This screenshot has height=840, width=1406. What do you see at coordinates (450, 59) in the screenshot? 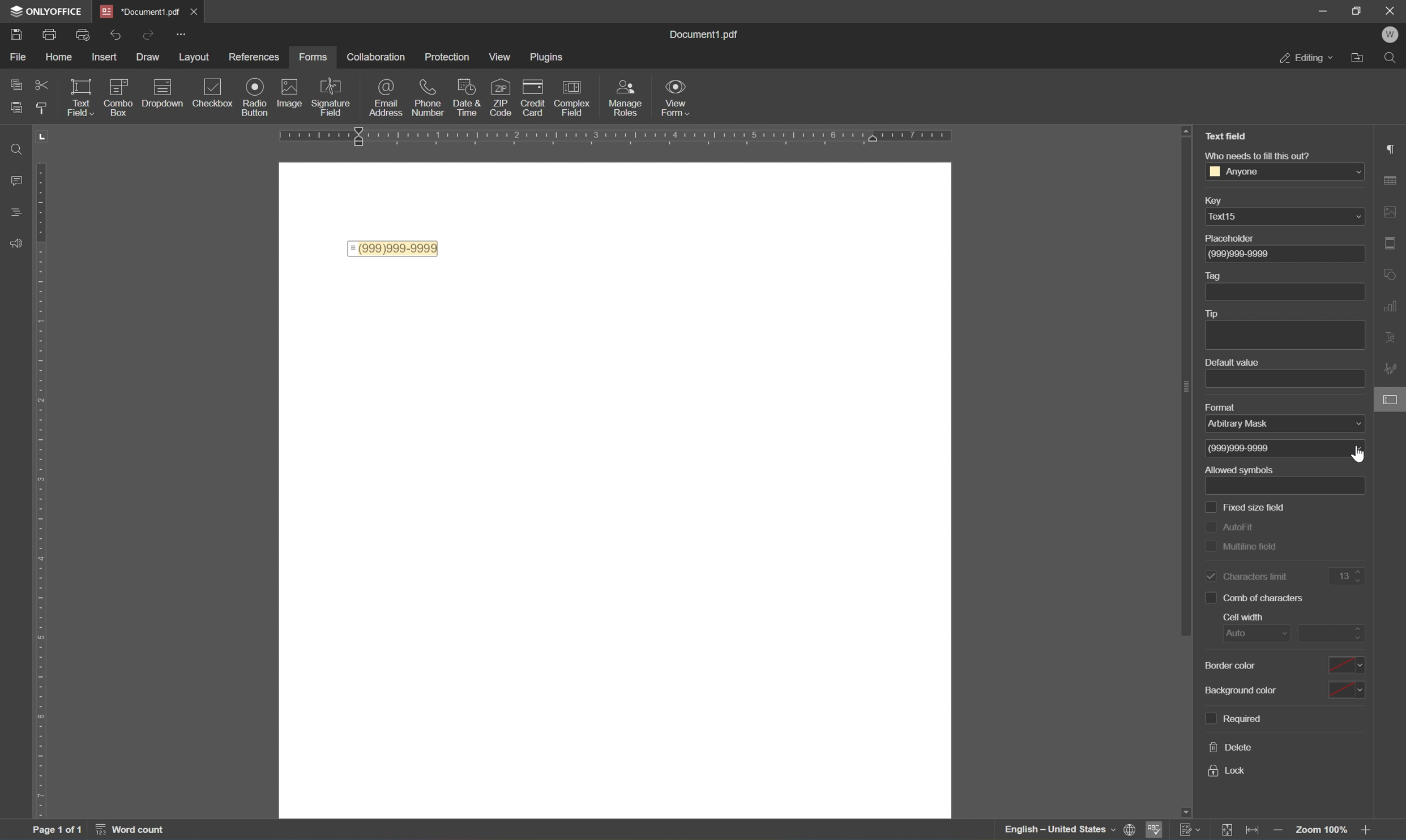
I see `protection` at bounding box center [450, 59].